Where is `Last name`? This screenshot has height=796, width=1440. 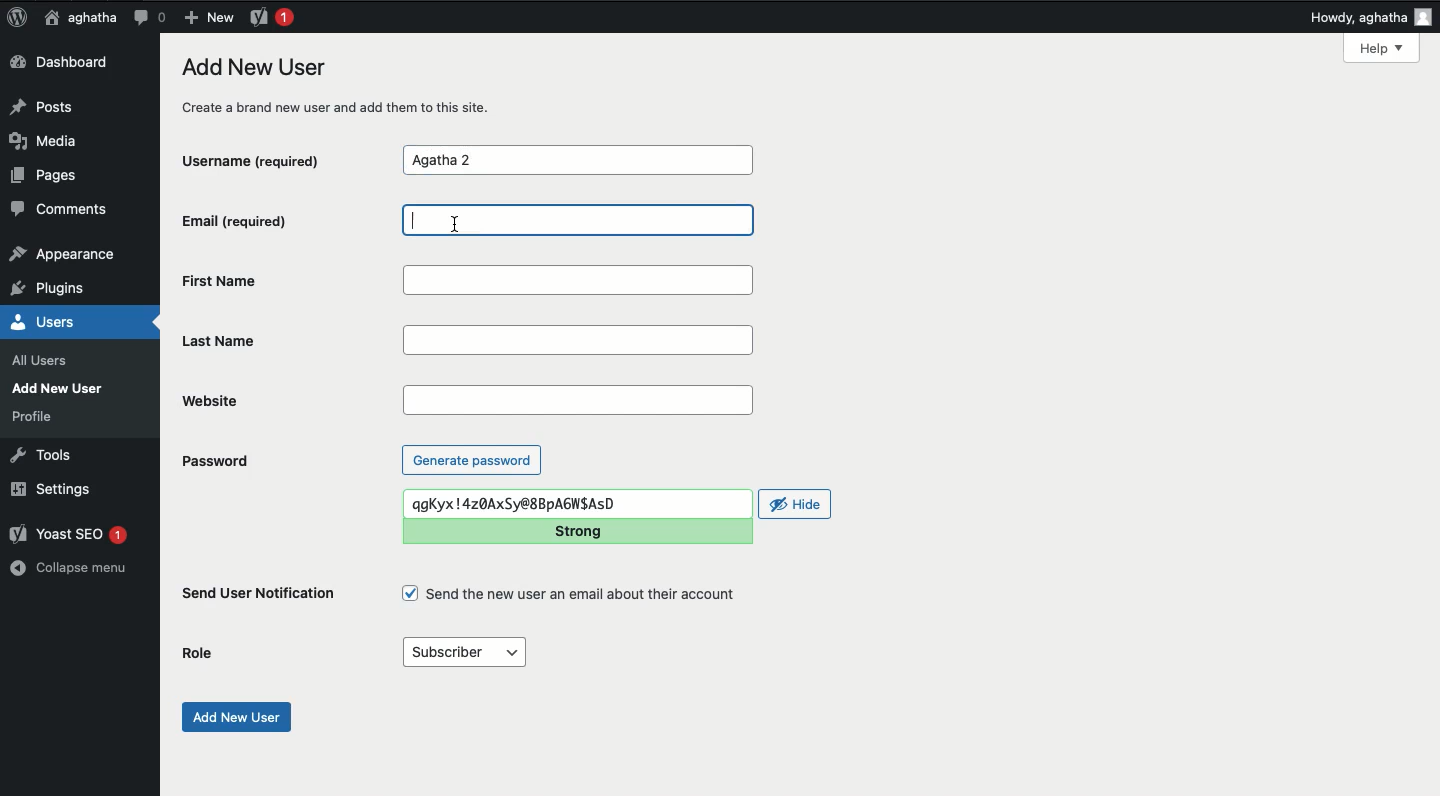 Last name is located at coordinates (577, 340).